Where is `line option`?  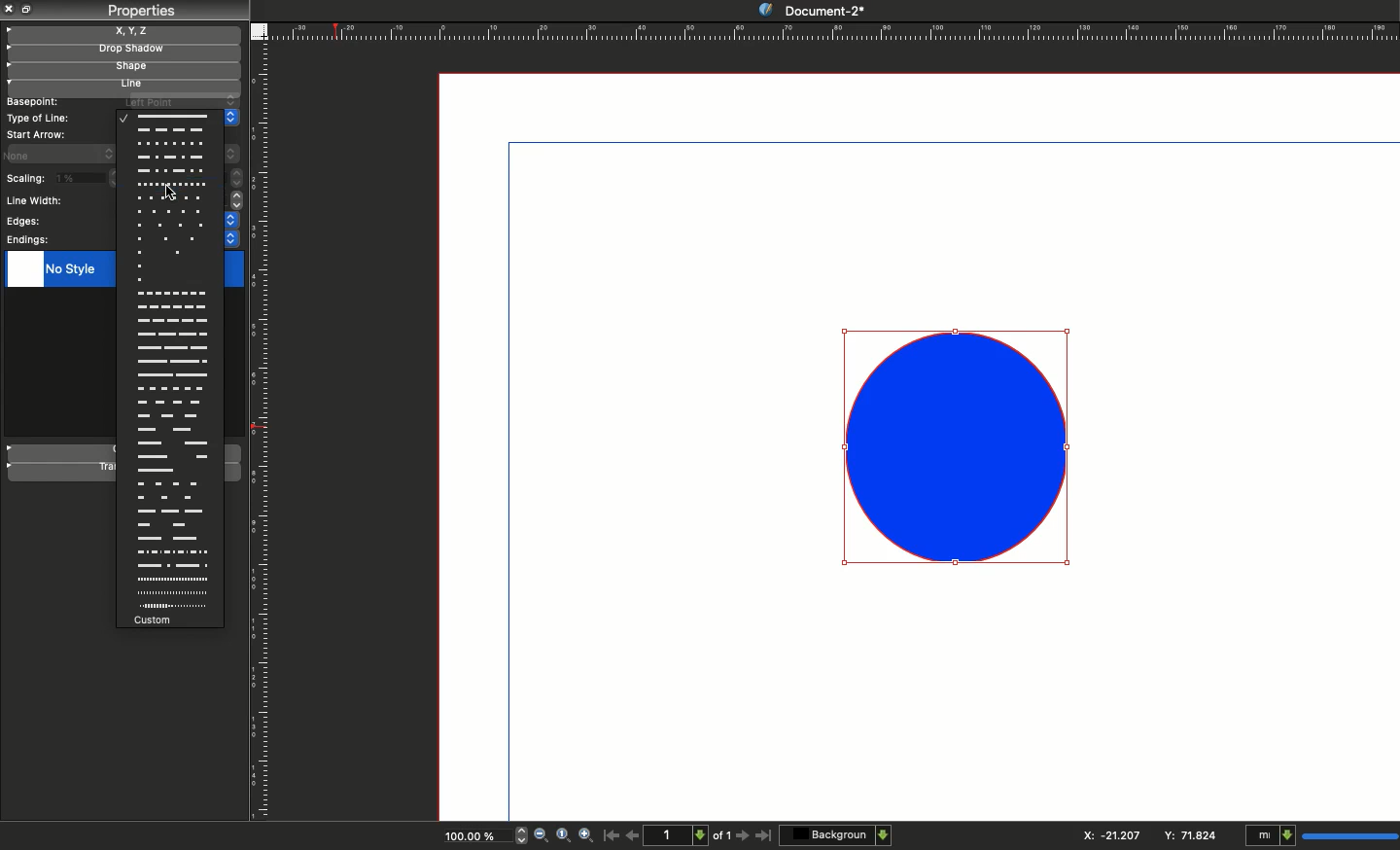
line option is located at coordinates (171, 252).